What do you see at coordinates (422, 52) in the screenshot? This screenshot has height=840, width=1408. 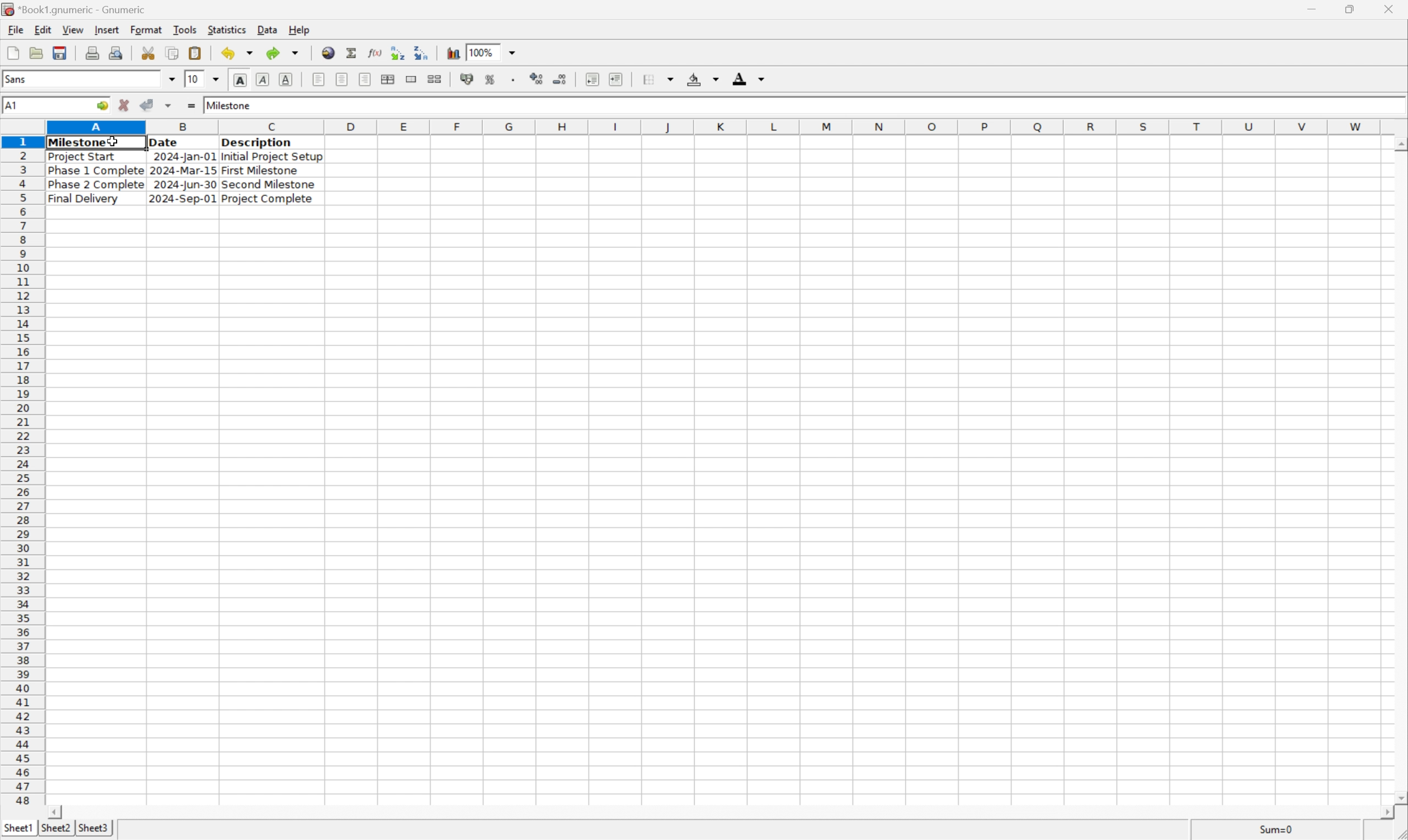 I see `Sort the selected region in descending order based on the first column selected` at bounding box center [422, 52].